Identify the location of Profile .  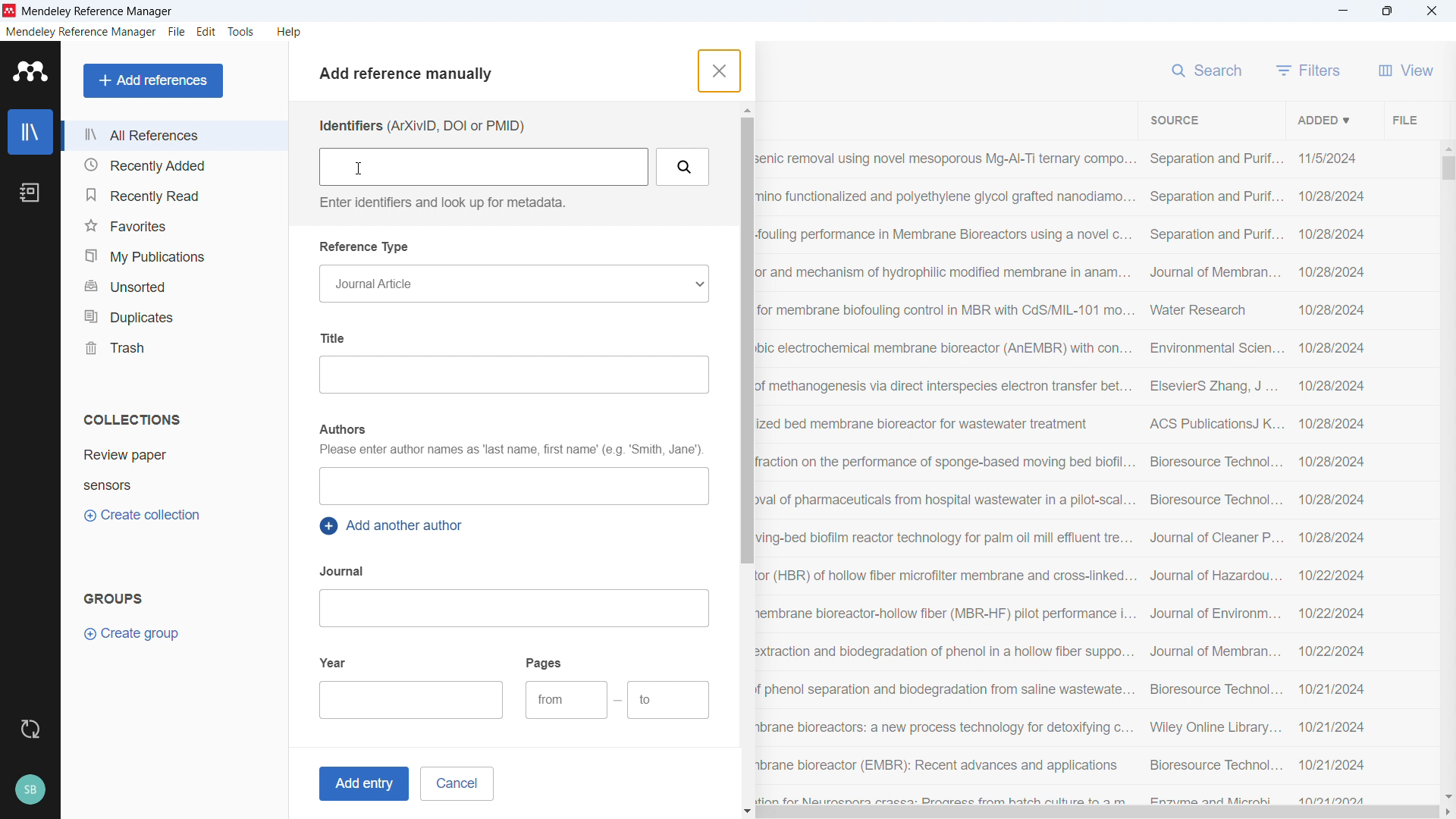
(30, 790).